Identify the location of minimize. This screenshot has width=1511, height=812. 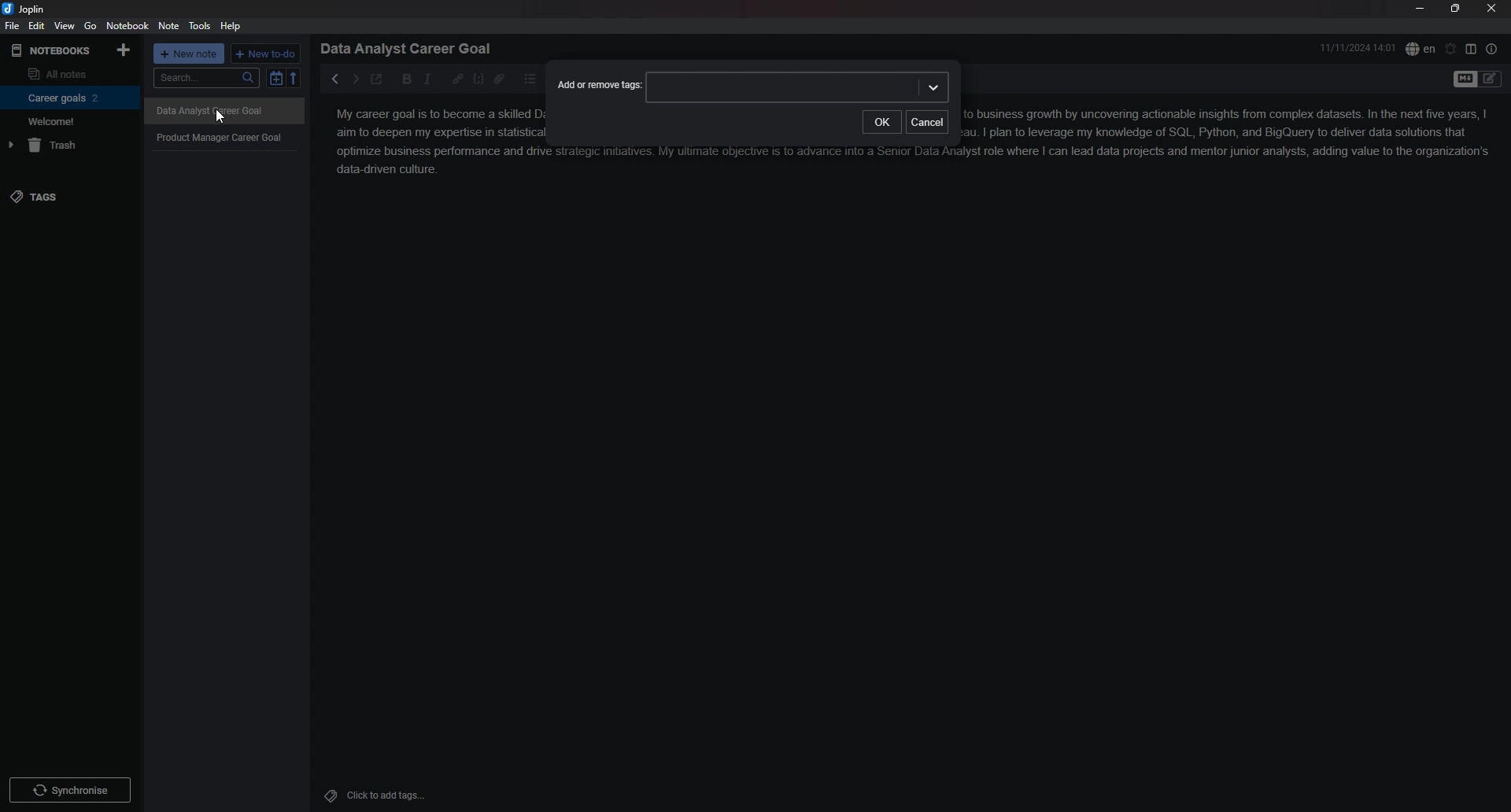
(1419, 8).